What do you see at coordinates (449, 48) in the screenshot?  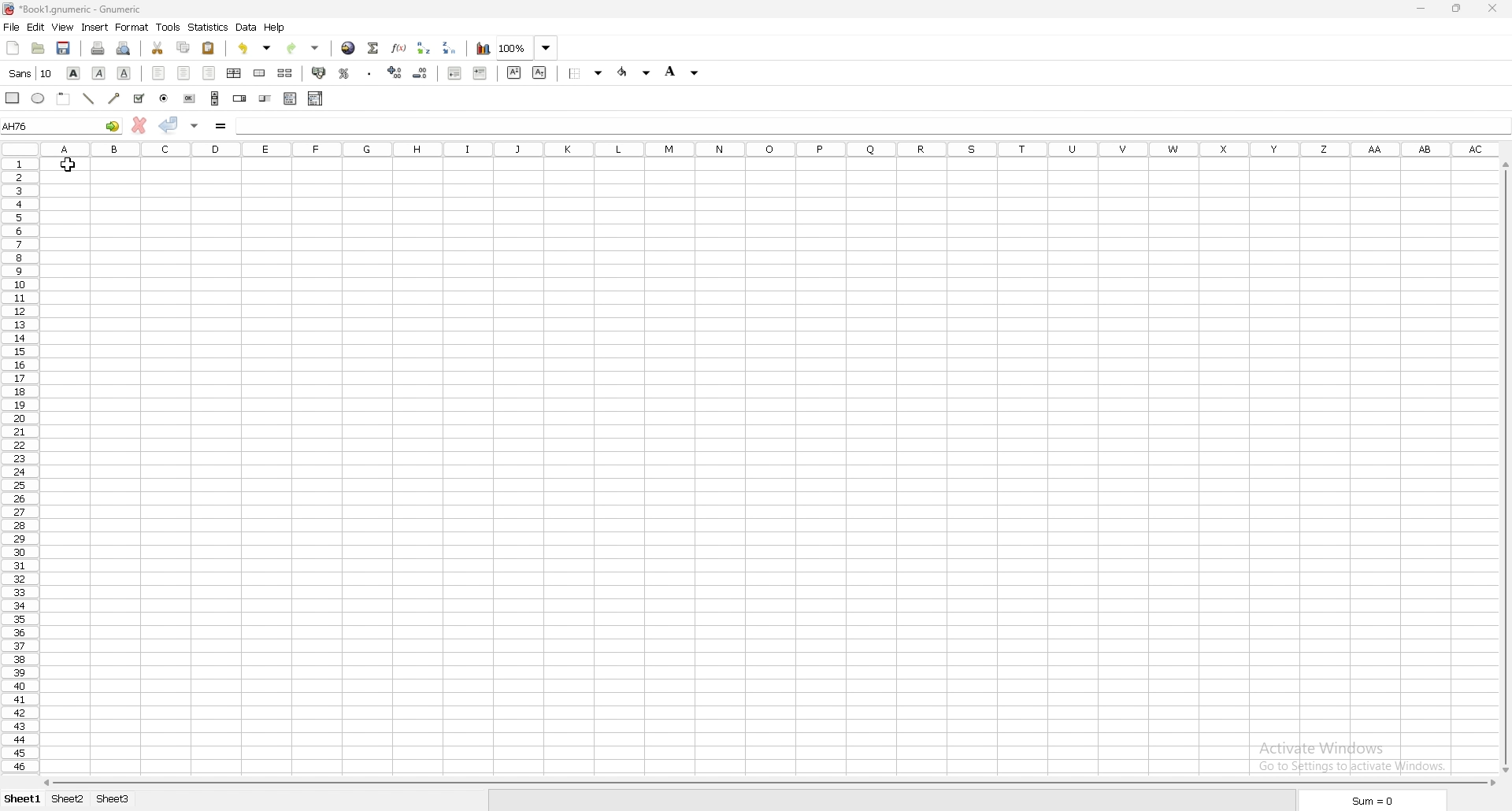 I see `sort descending` at bounding box center [449, 48].